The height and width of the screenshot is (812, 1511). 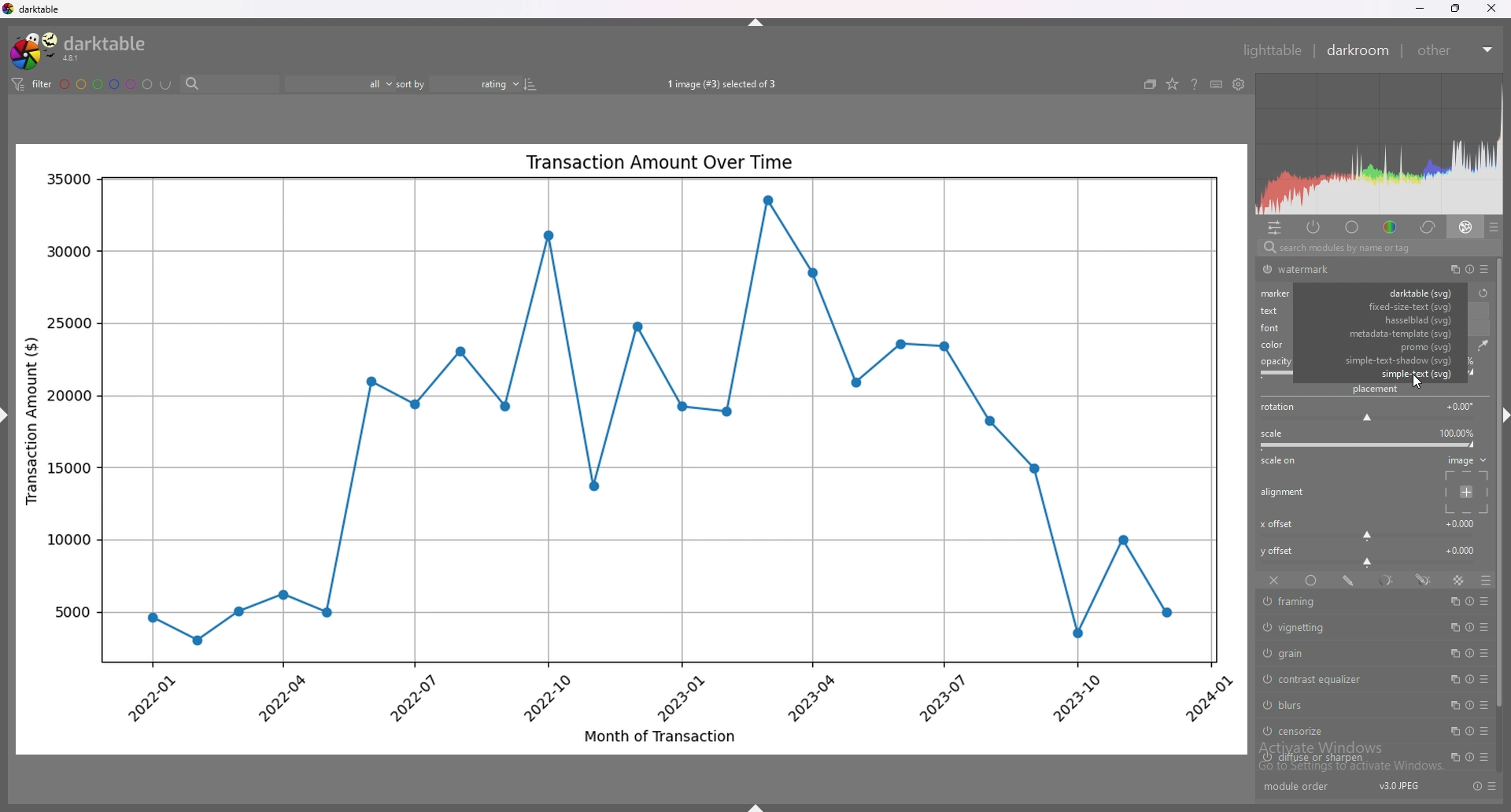 I want to click on filter by rating, so click(x=340, y=83).